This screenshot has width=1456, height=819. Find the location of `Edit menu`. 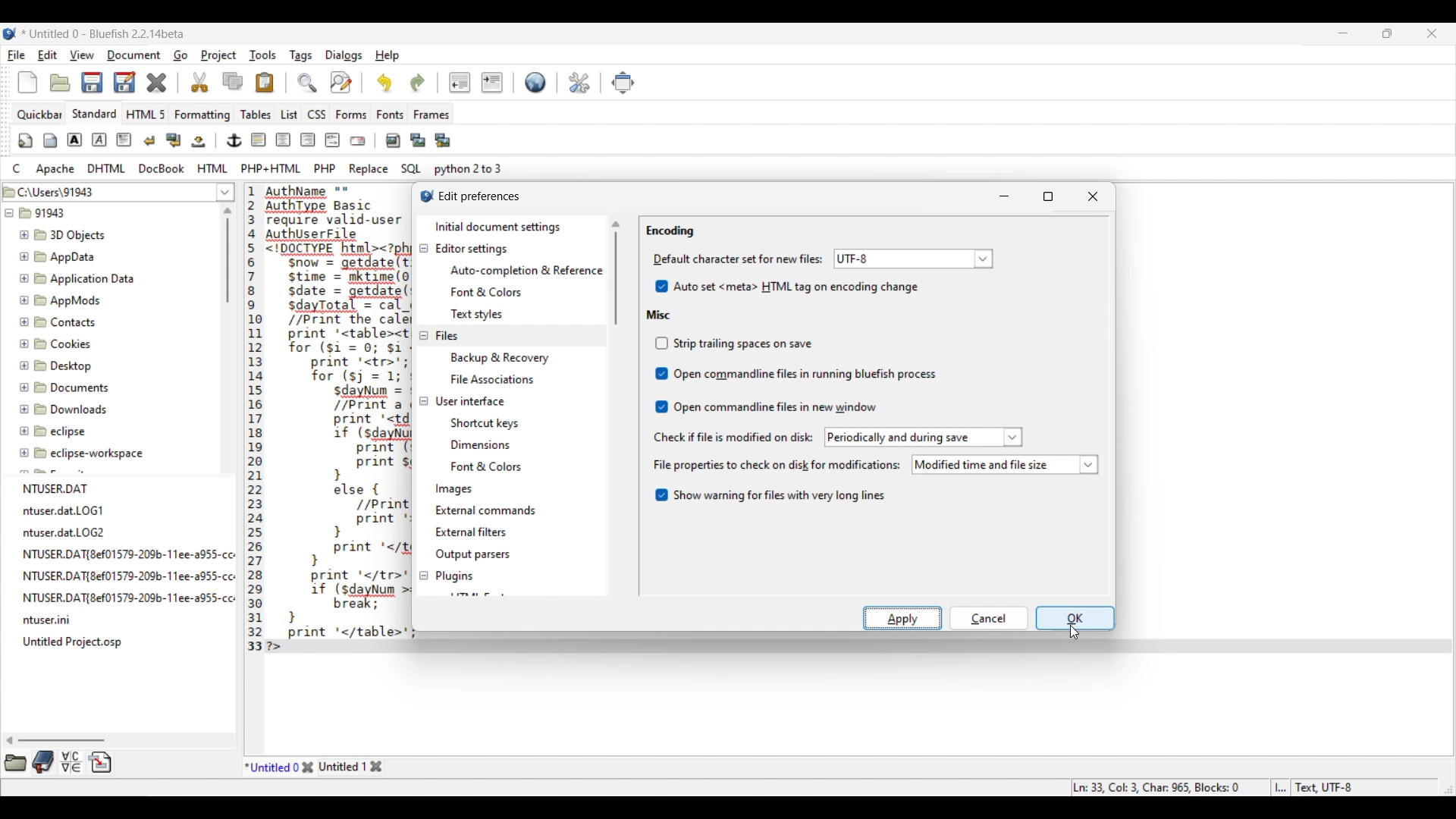

Edit menu is located at coordinates (48, 55).